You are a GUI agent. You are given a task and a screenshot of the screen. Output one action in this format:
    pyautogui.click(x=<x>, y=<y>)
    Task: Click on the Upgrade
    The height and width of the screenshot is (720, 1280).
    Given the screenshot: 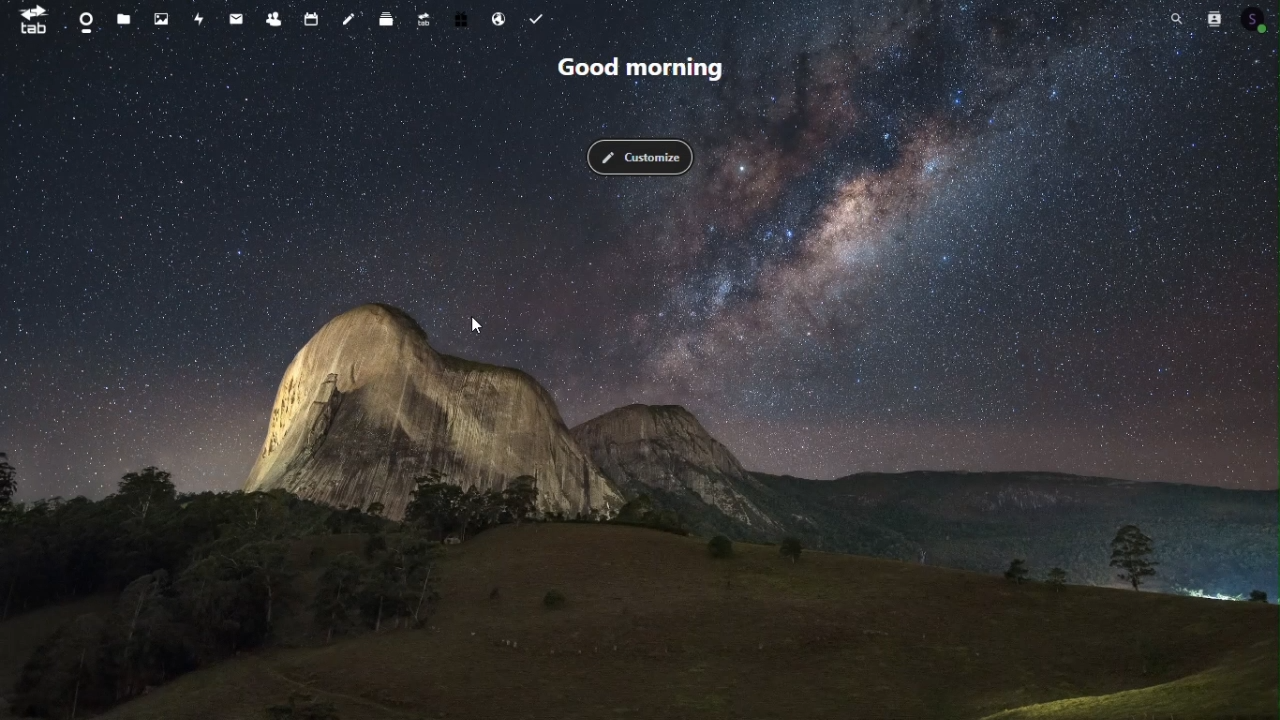 What is the action you would take?
    pyautogui.click(x=424, y=17)
    